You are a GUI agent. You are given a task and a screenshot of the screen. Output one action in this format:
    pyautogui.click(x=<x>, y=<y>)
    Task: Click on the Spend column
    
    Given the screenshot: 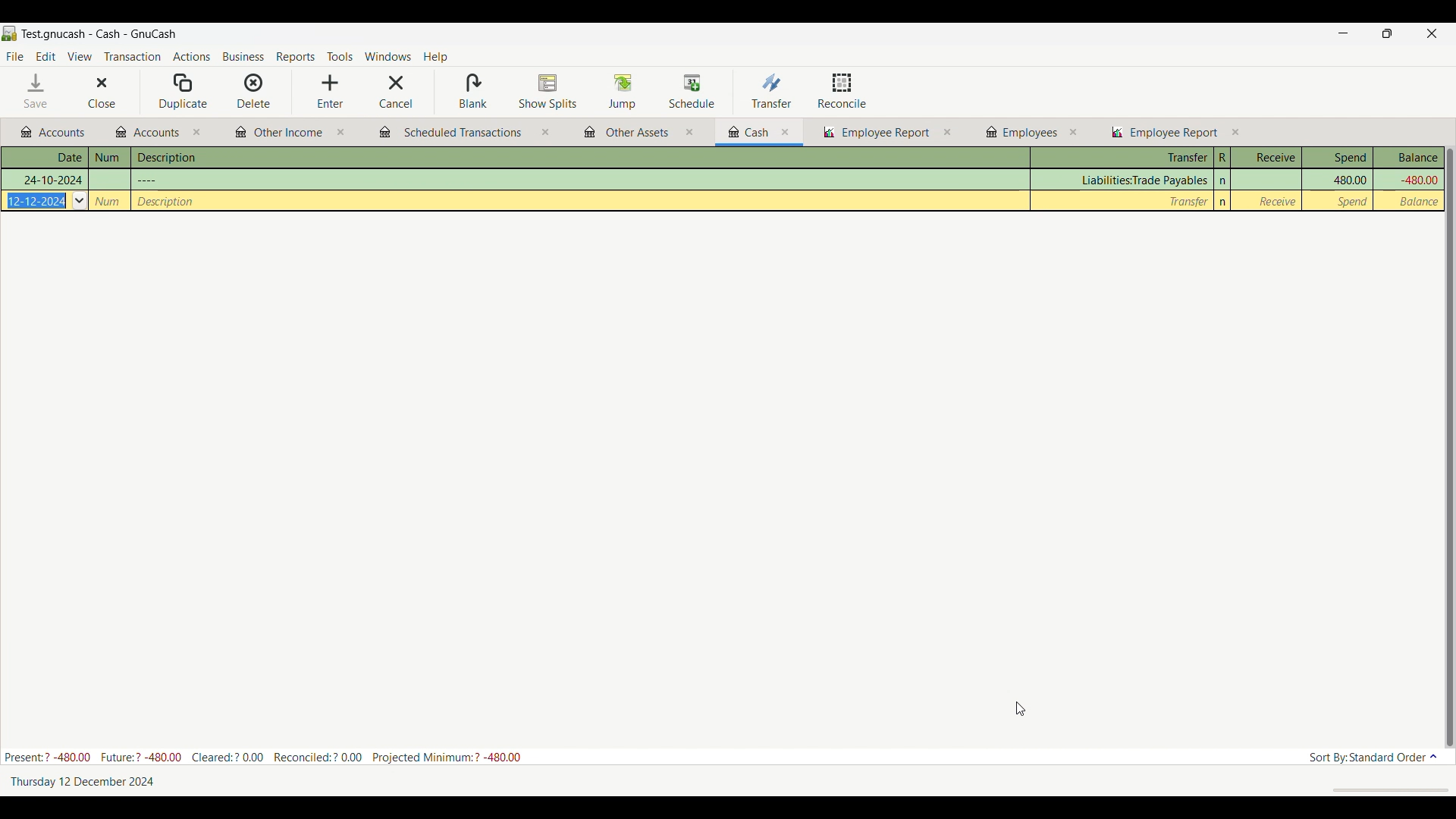 What is the action you would take?
    pyautogui.click(x=1354, y=201)
    